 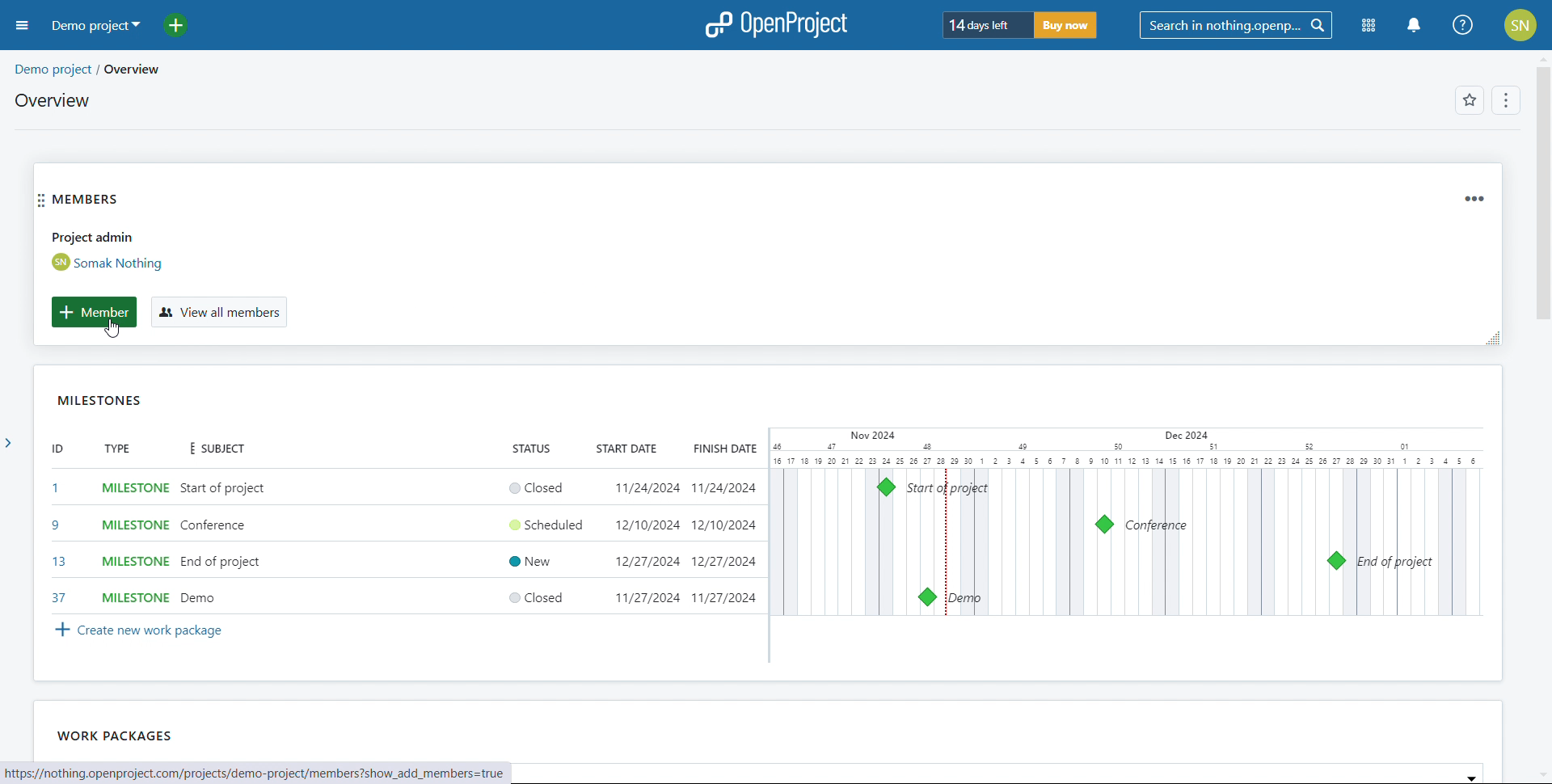 What do you see at coordinates (107, 734) in the screenshot?
I see `‘WORK PACKAGES` at bounding box center [107, 734].